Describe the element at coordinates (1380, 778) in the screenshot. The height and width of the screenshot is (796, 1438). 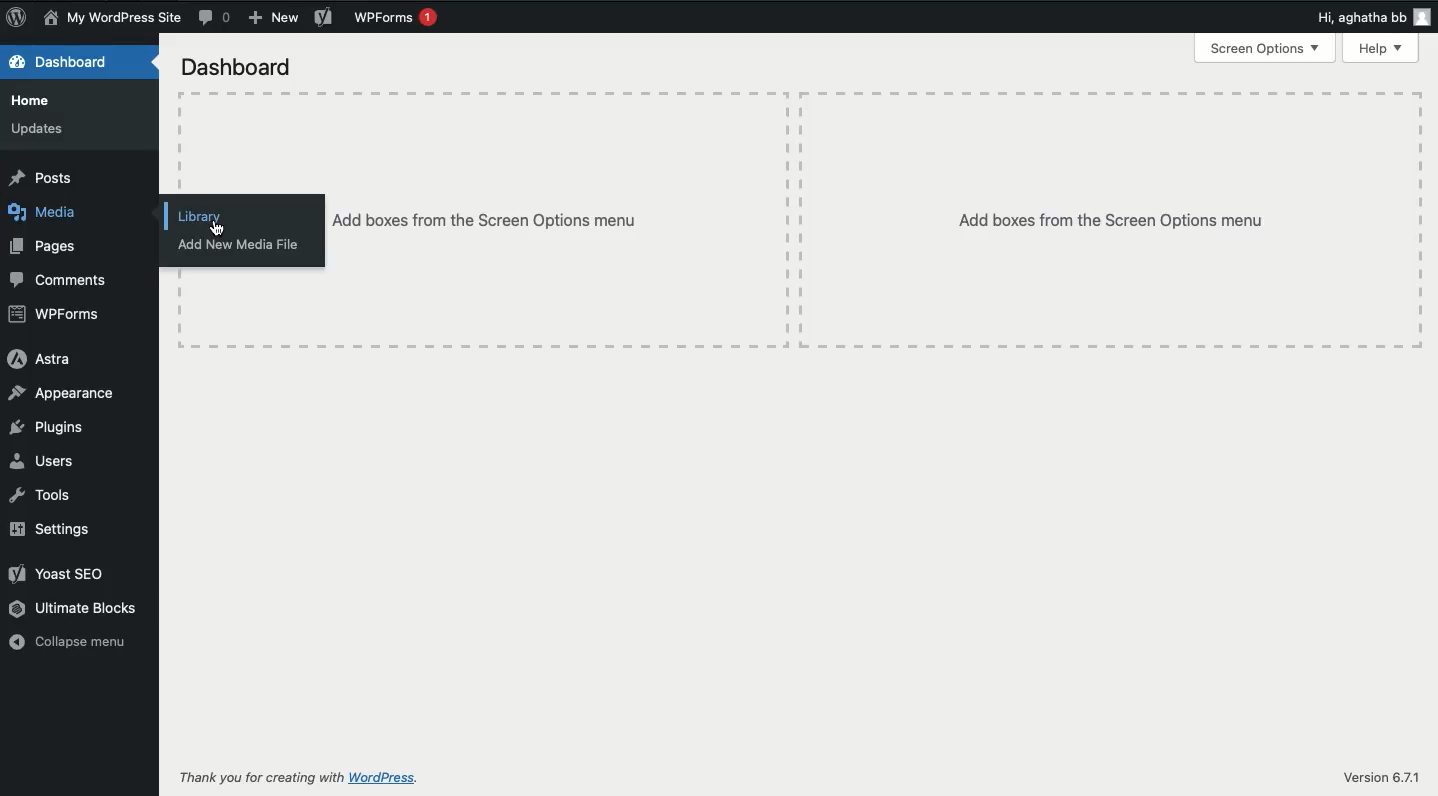
I see `Version 6.7.1` at that location.